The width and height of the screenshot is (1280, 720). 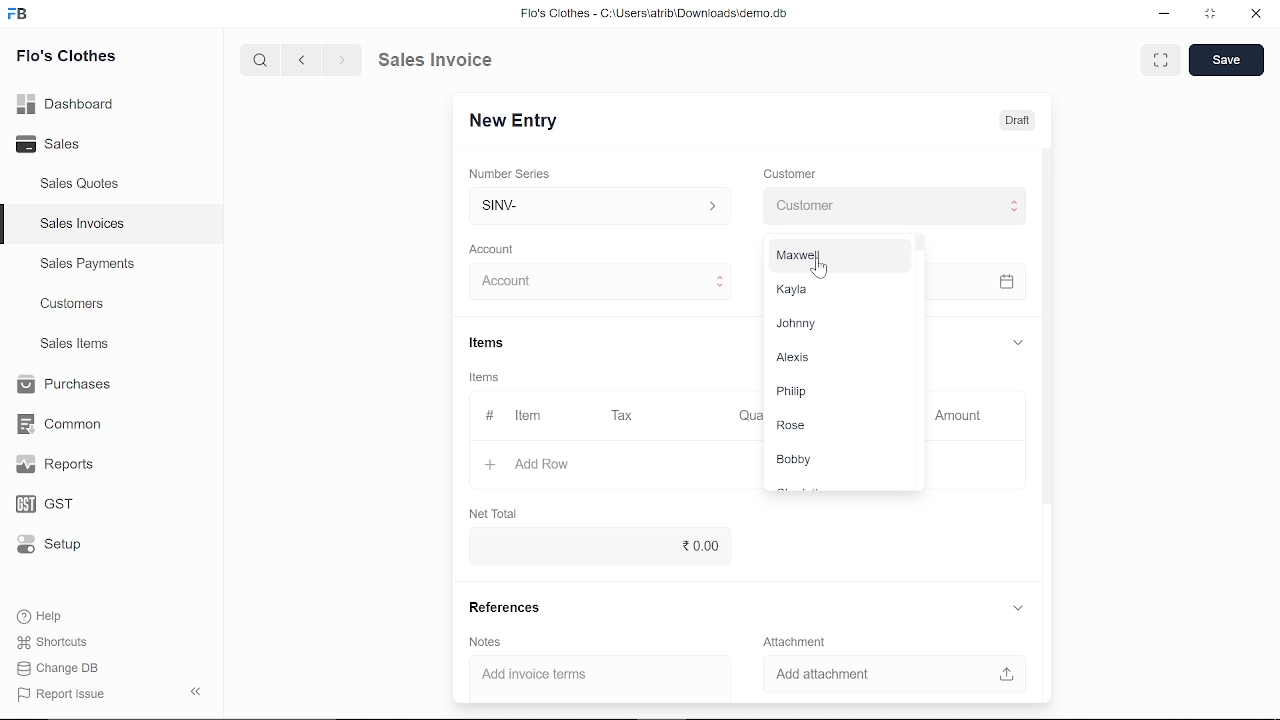 What do you see at coordinates (596, 205) in the screenshot?
I see `SINV- ` at bounding box center [596, 205].